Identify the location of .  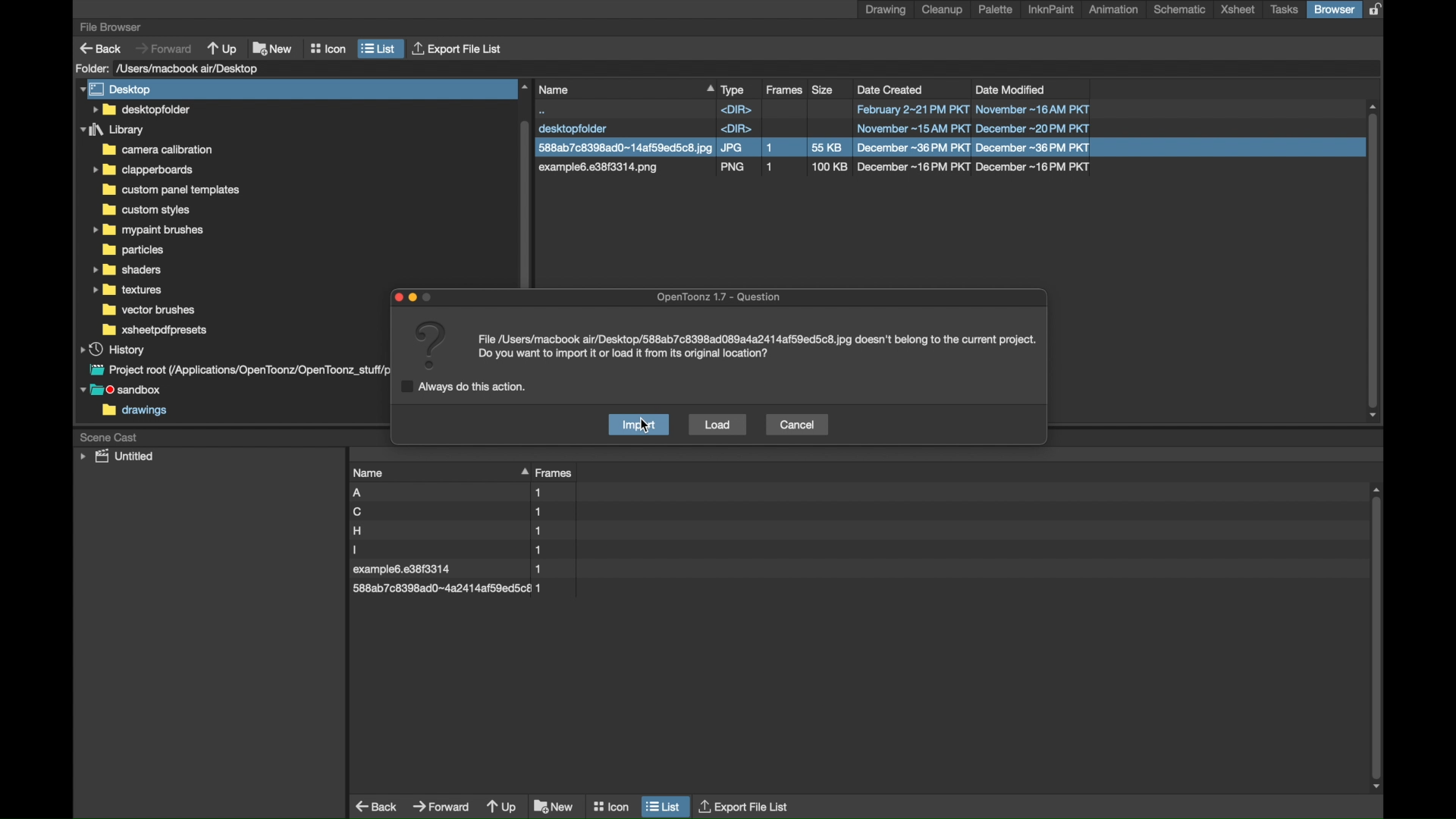
(432, 296).